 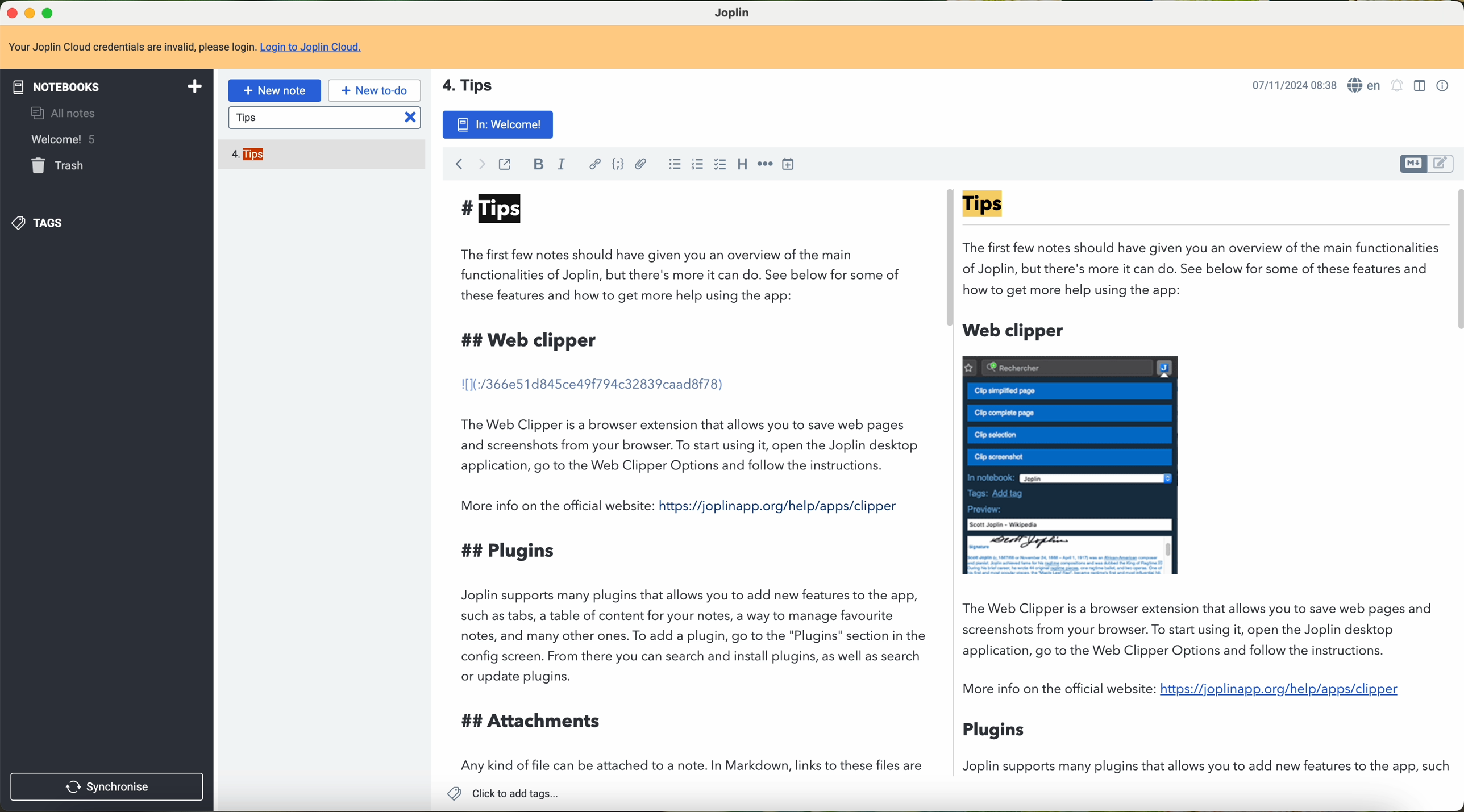 I want to click on insert time, so click(x=788, y=166).